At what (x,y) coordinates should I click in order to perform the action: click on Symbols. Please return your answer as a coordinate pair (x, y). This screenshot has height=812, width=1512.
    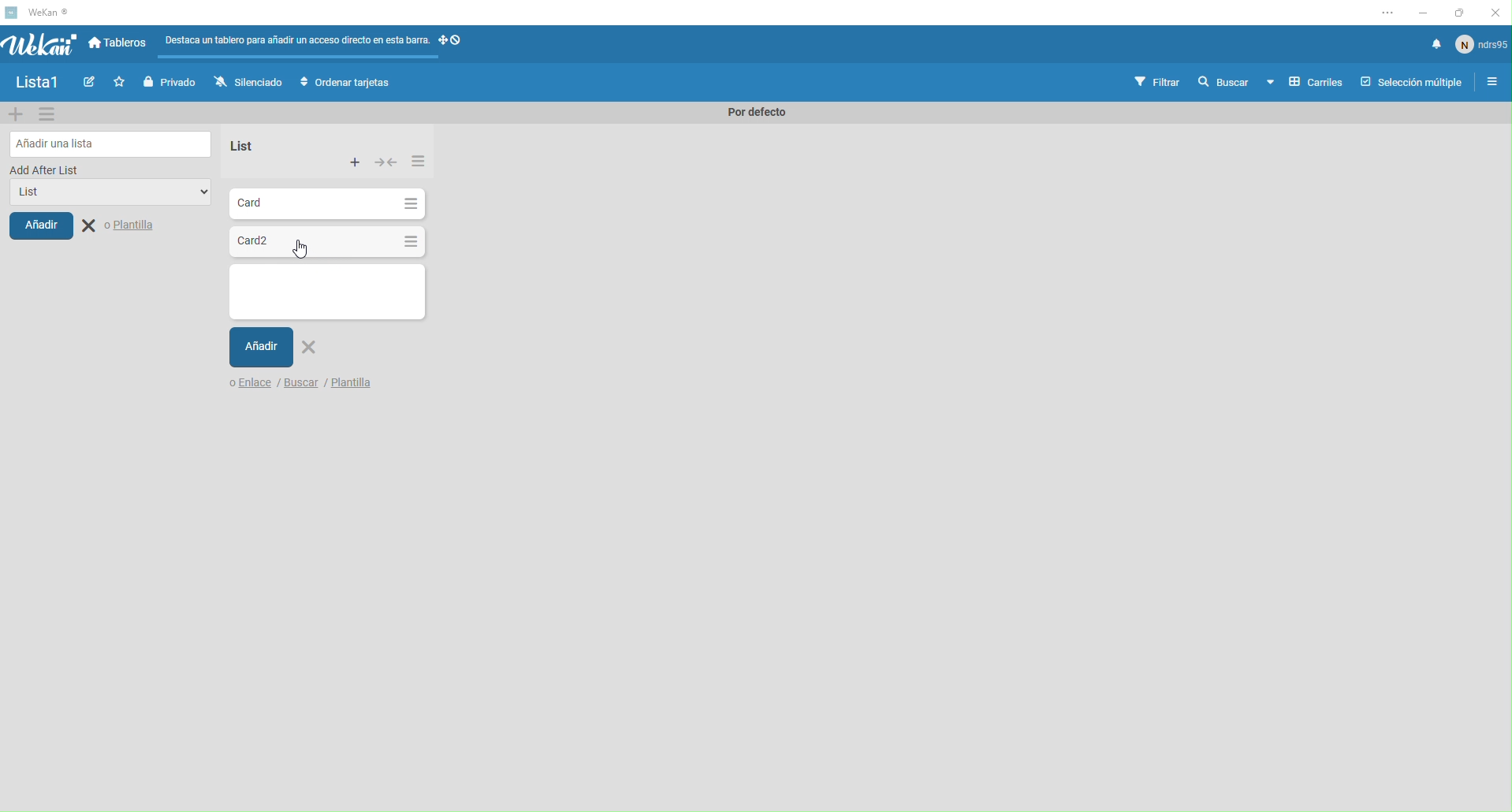
    Looking at the image, I should click on (464, 40).